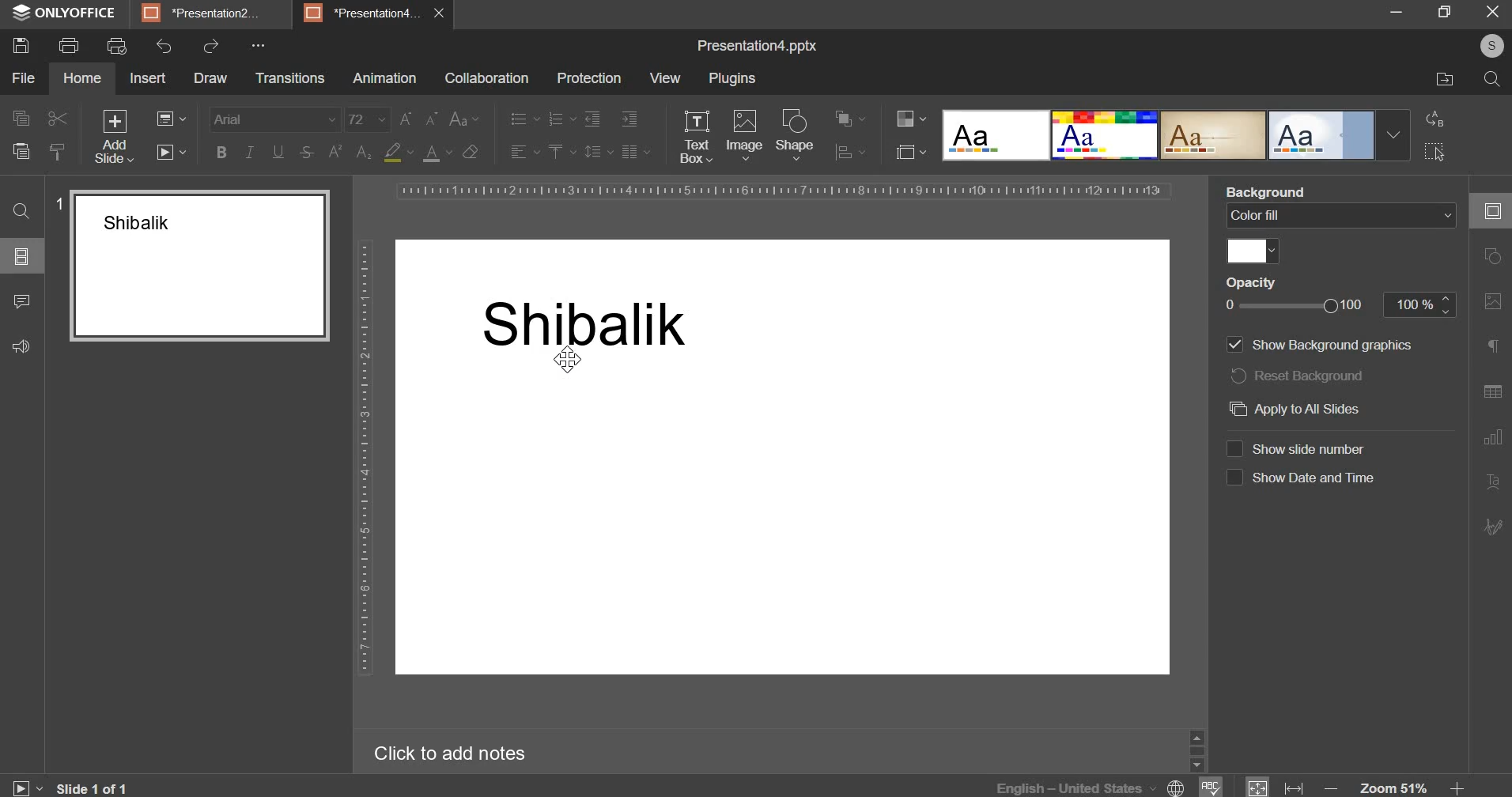  I want to click on bold, so click(221, 152).